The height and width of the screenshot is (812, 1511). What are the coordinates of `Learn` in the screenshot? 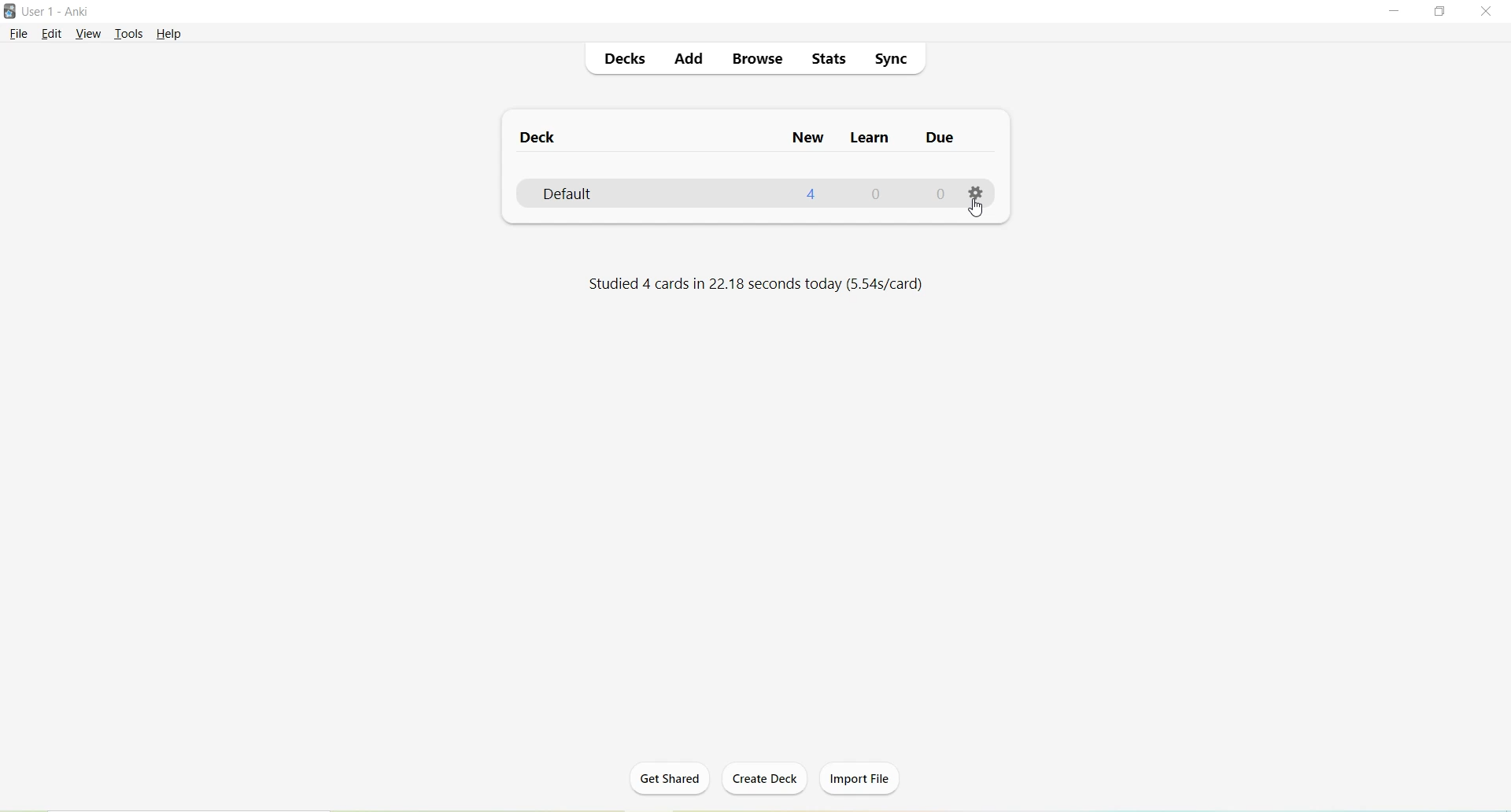 It's located at (868, 138).